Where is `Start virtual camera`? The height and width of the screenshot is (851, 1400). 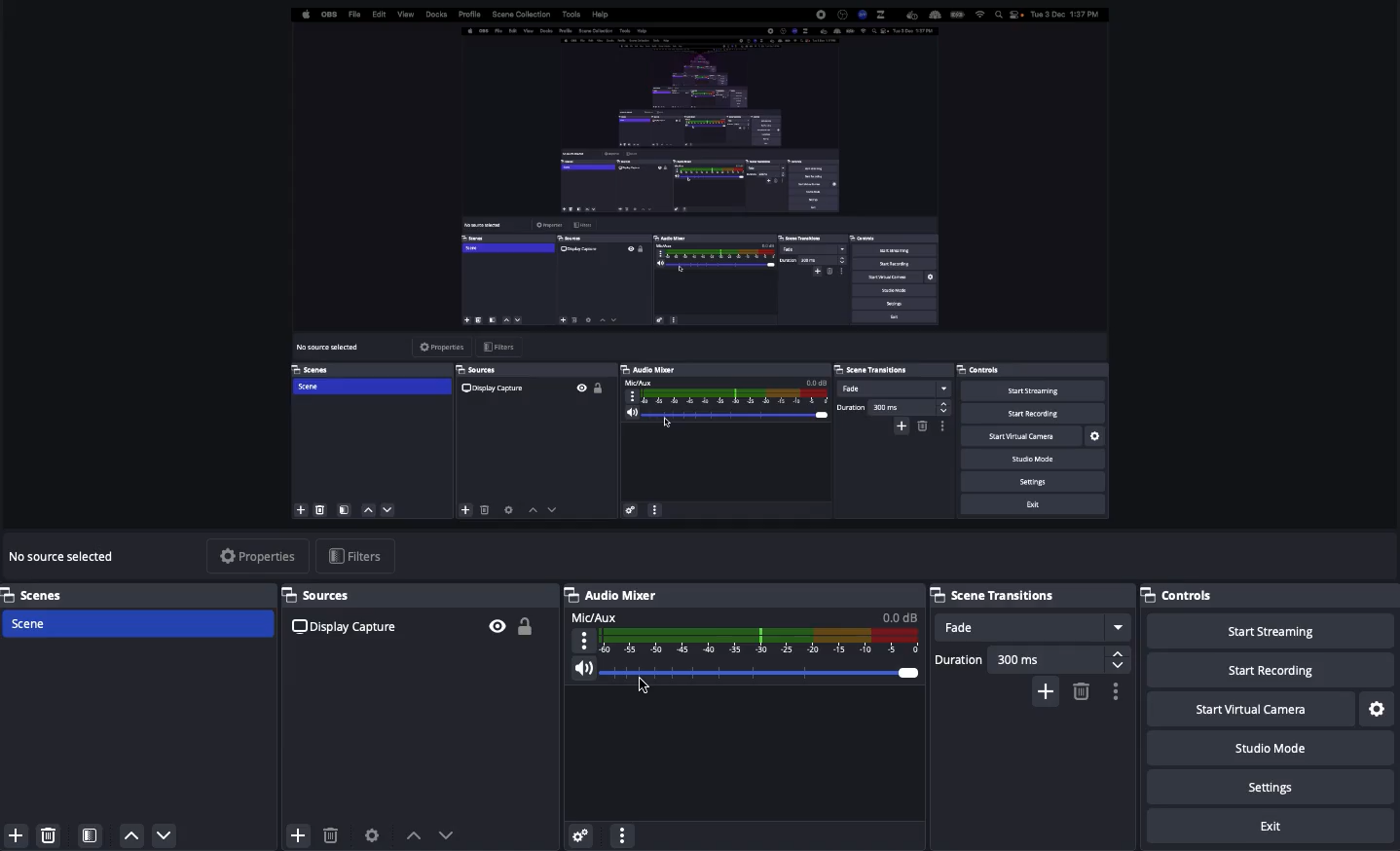 Start virtual camera is located at coordinates (1248, 710).